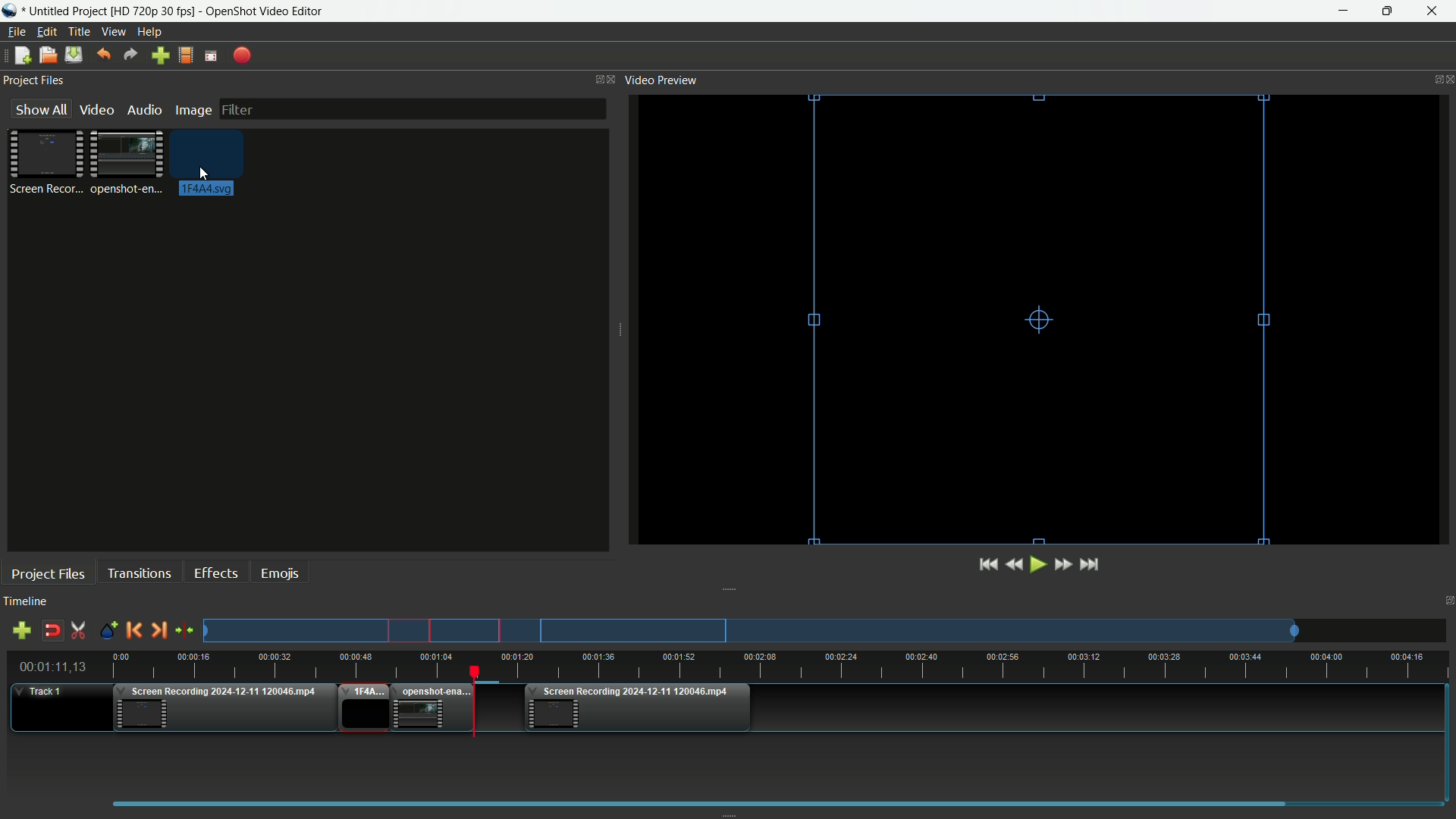 The image size is (1456, 819). What do you see at coordinates (19, 57) in the screenshot?
I see `New file` at bounding box center [19, 57].